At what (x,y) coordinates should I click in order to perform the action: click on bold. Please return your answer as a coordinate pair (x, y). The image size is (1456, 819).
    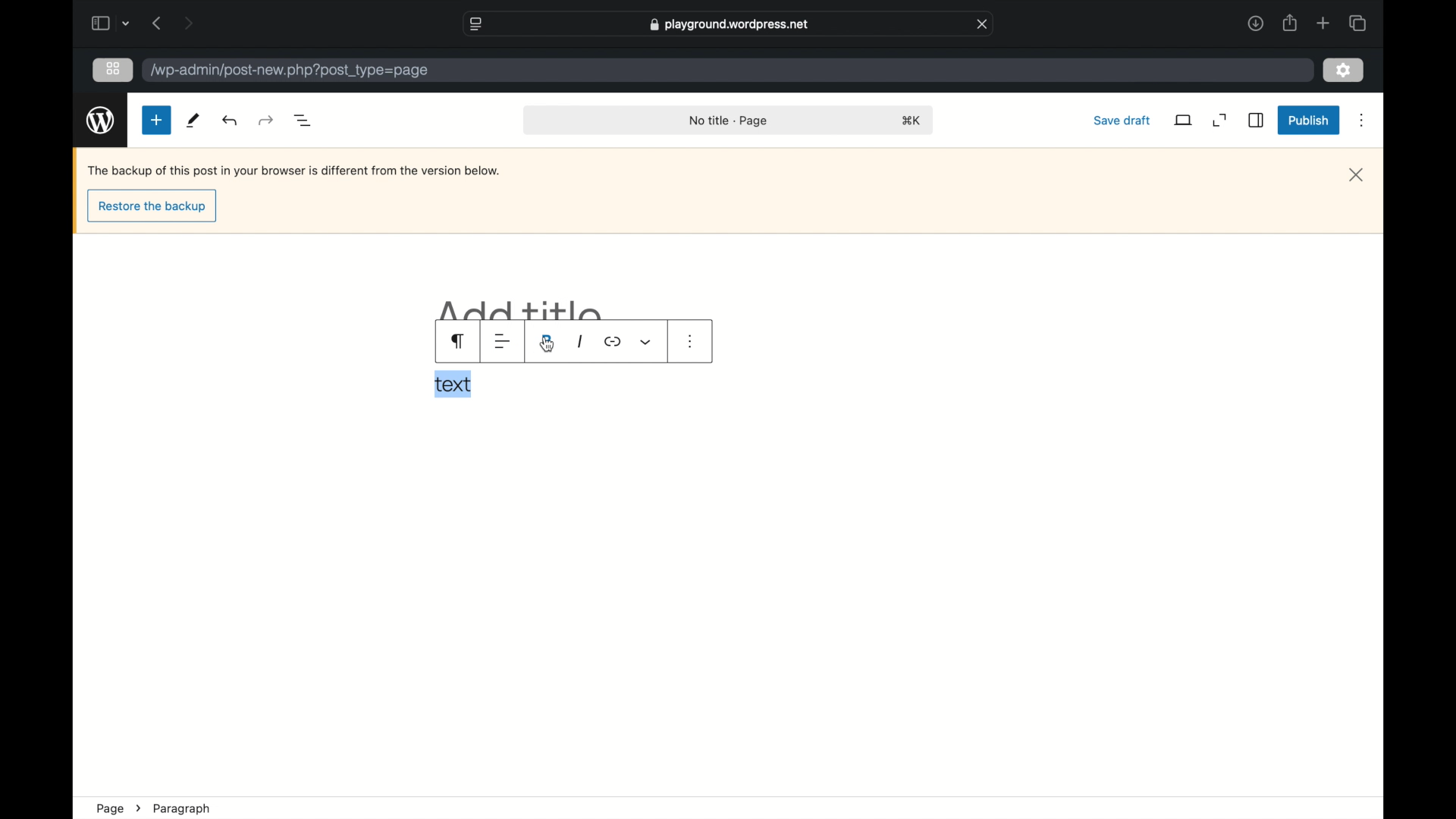
    Looking at the image, I should click on (547, 340).